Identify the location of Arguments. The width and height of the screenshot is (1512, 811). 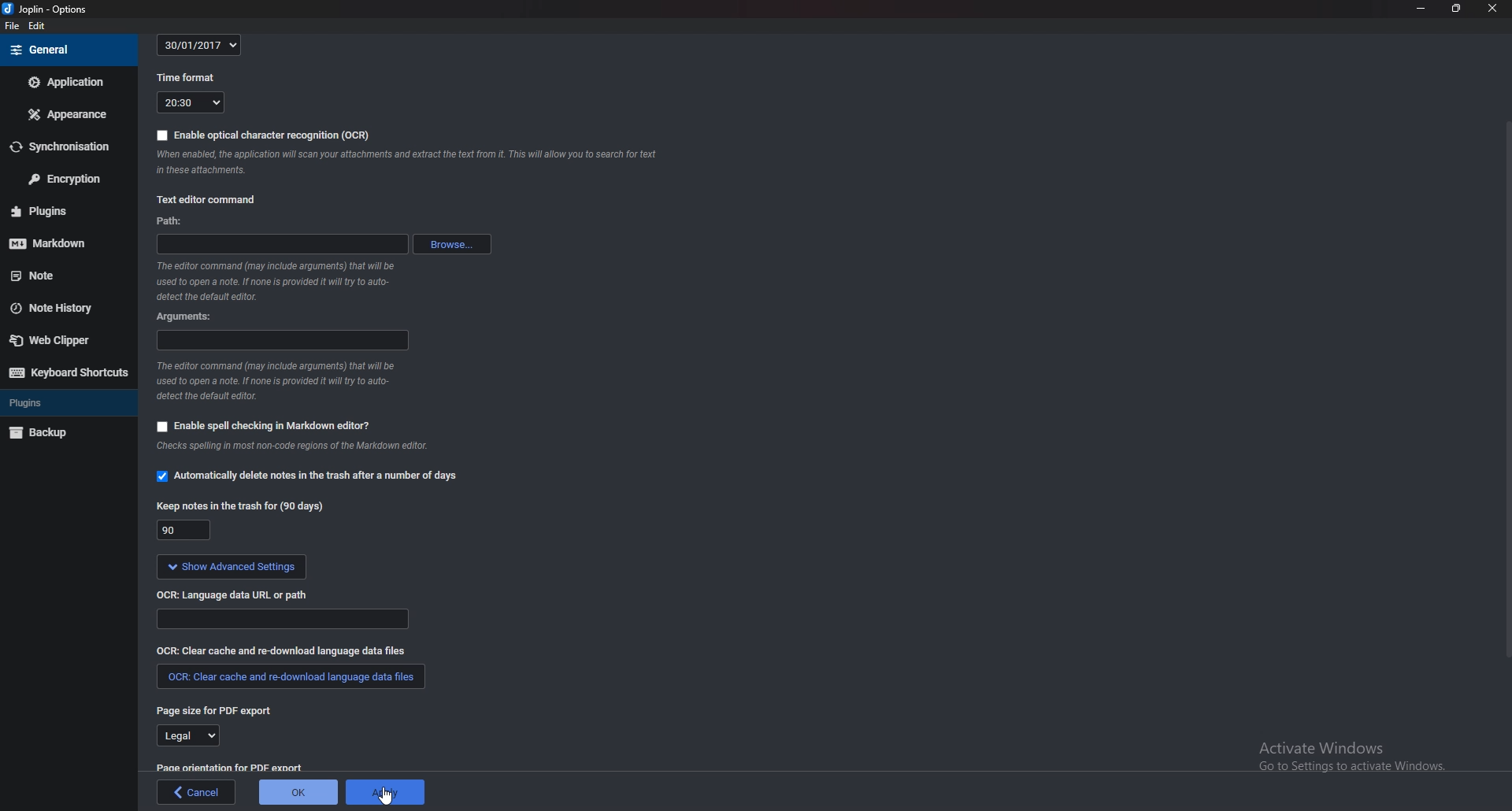
(283, 341).